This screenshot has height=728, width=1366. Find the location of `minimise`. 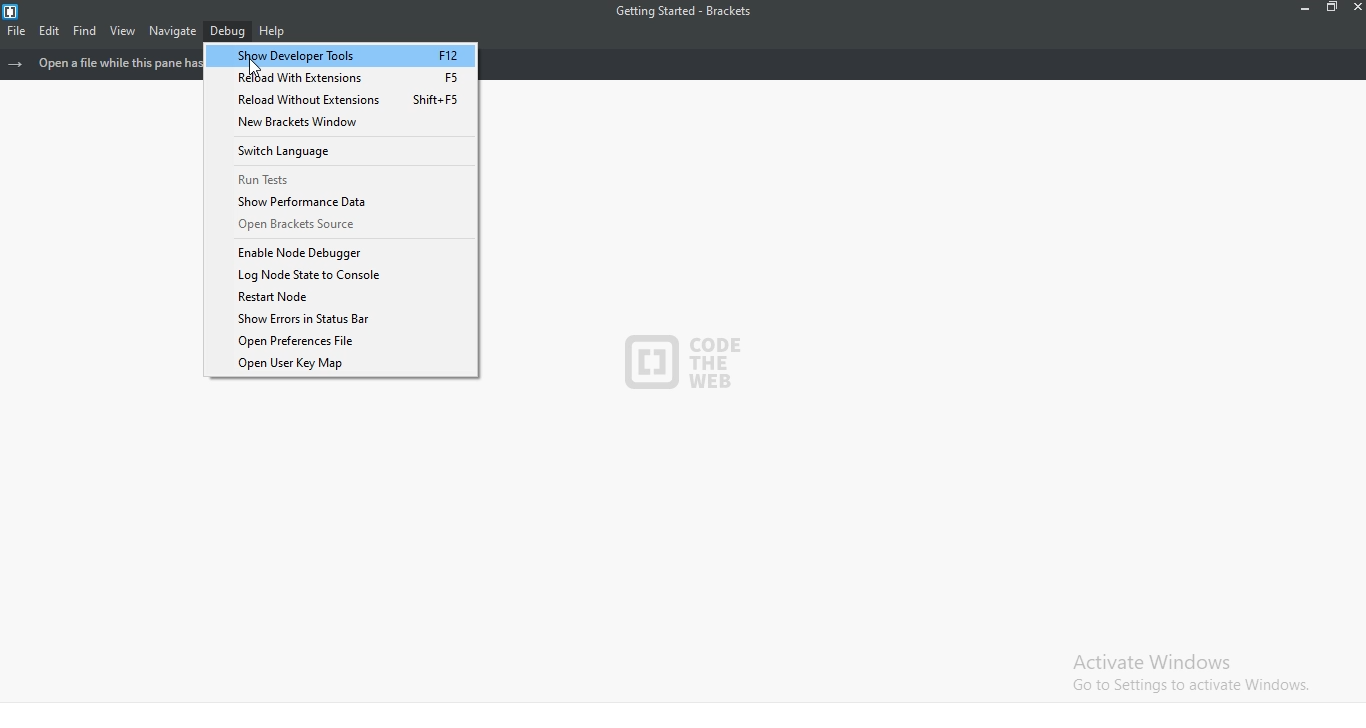

minimise is located at coordinates (1298, 11).